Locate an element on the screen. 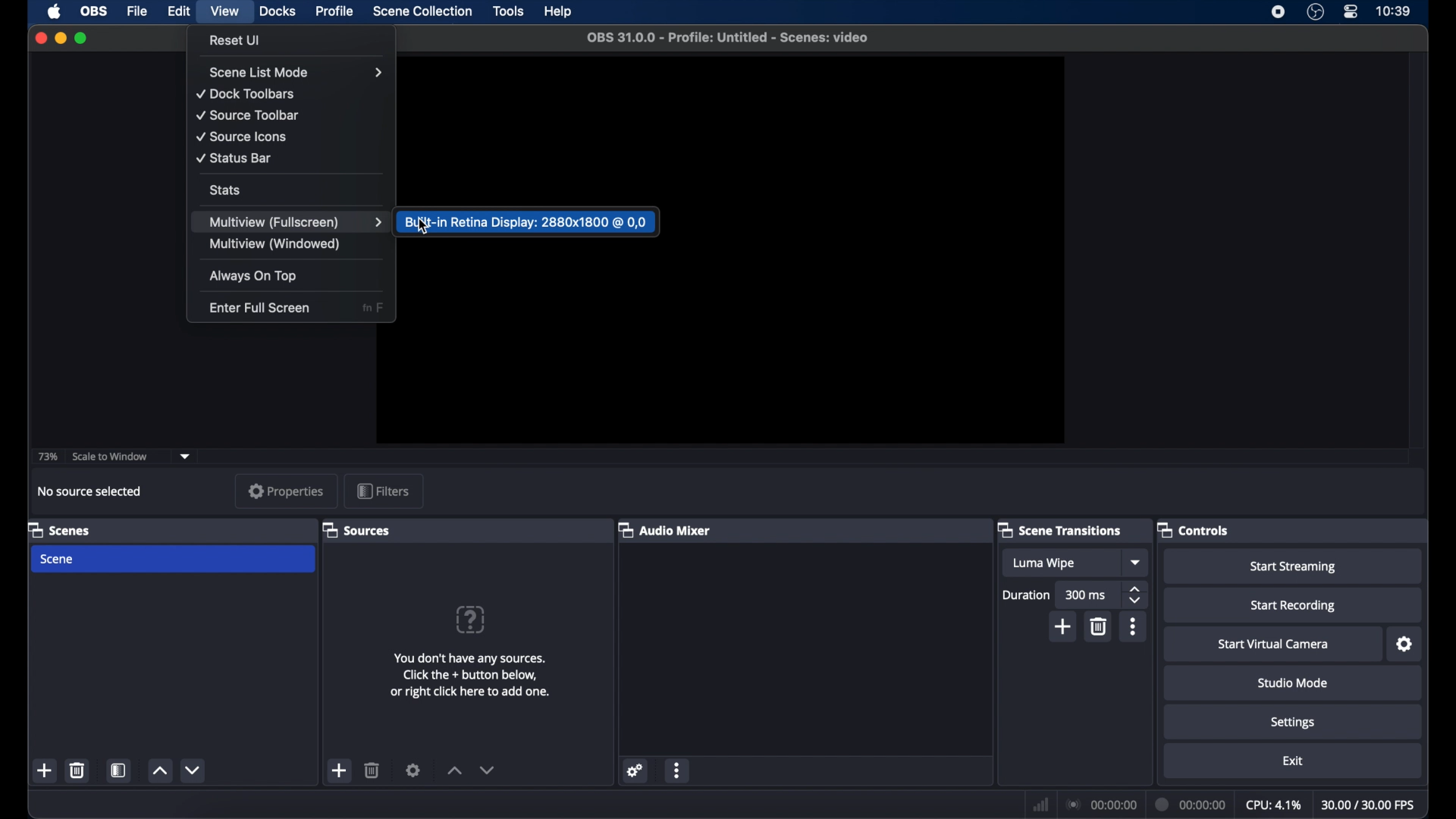 Image resolution: width=1456 pixels, height=819 pixels. profile is located at coordinates (335, 10).